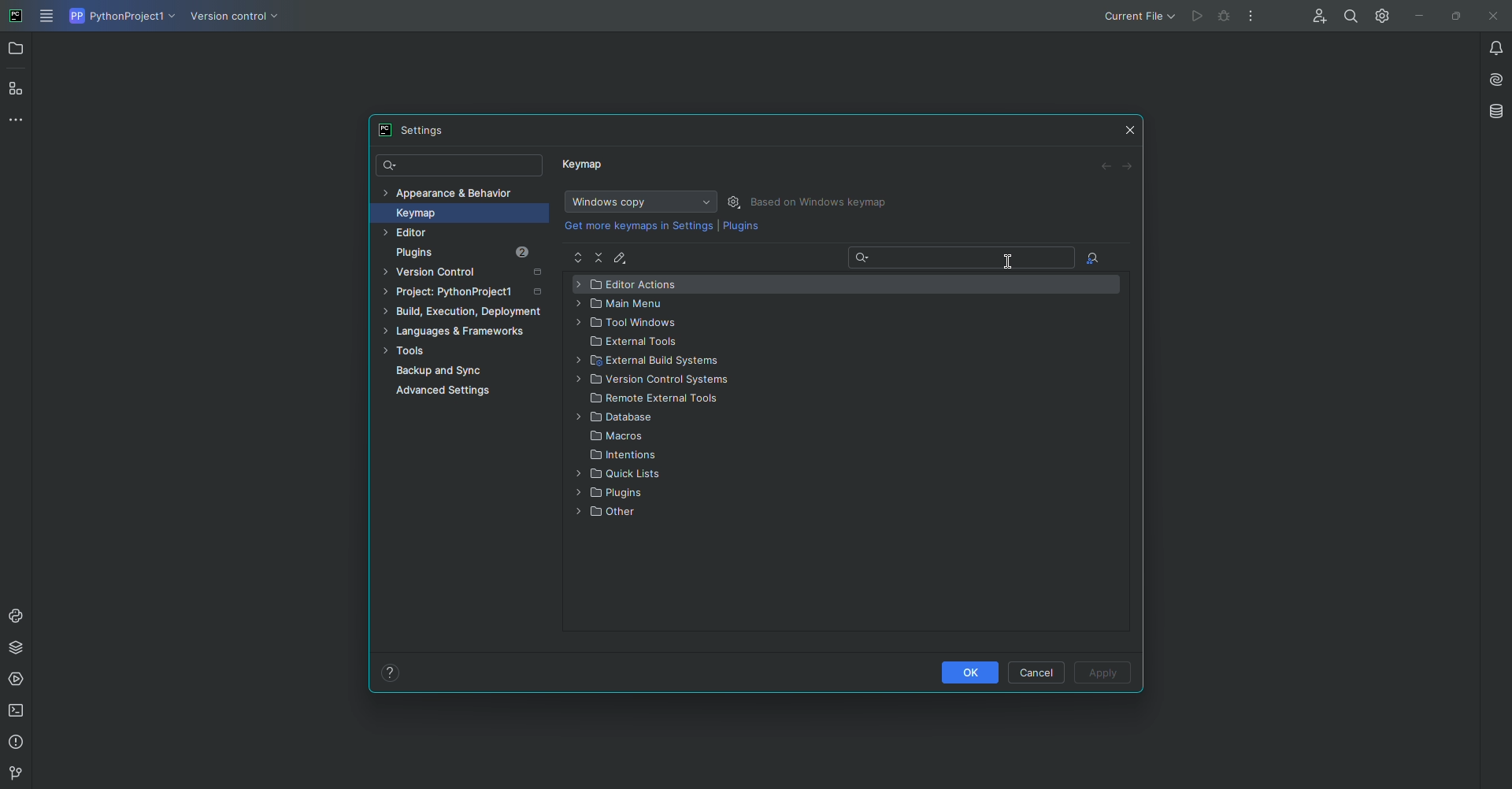  What do you see at coordinates (20, 647) in the screenshot?
I see `Packages` at bounding box center [20, 647].